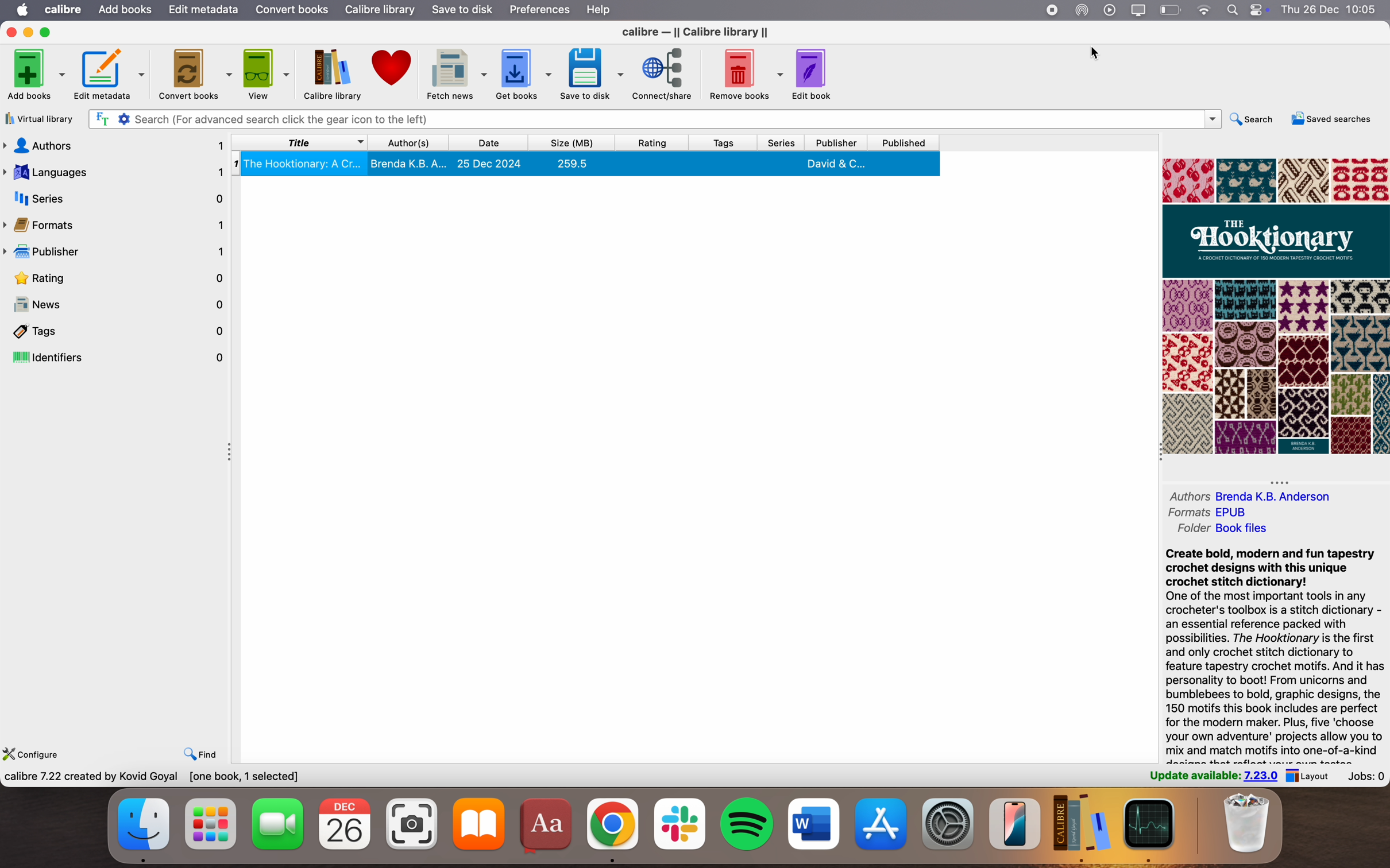 This screenshot has height=868, width=1390. What do you see at coordinates (1261, 10) in the screenshot?
I see `screen controls` at bounding box center [1261, 10].